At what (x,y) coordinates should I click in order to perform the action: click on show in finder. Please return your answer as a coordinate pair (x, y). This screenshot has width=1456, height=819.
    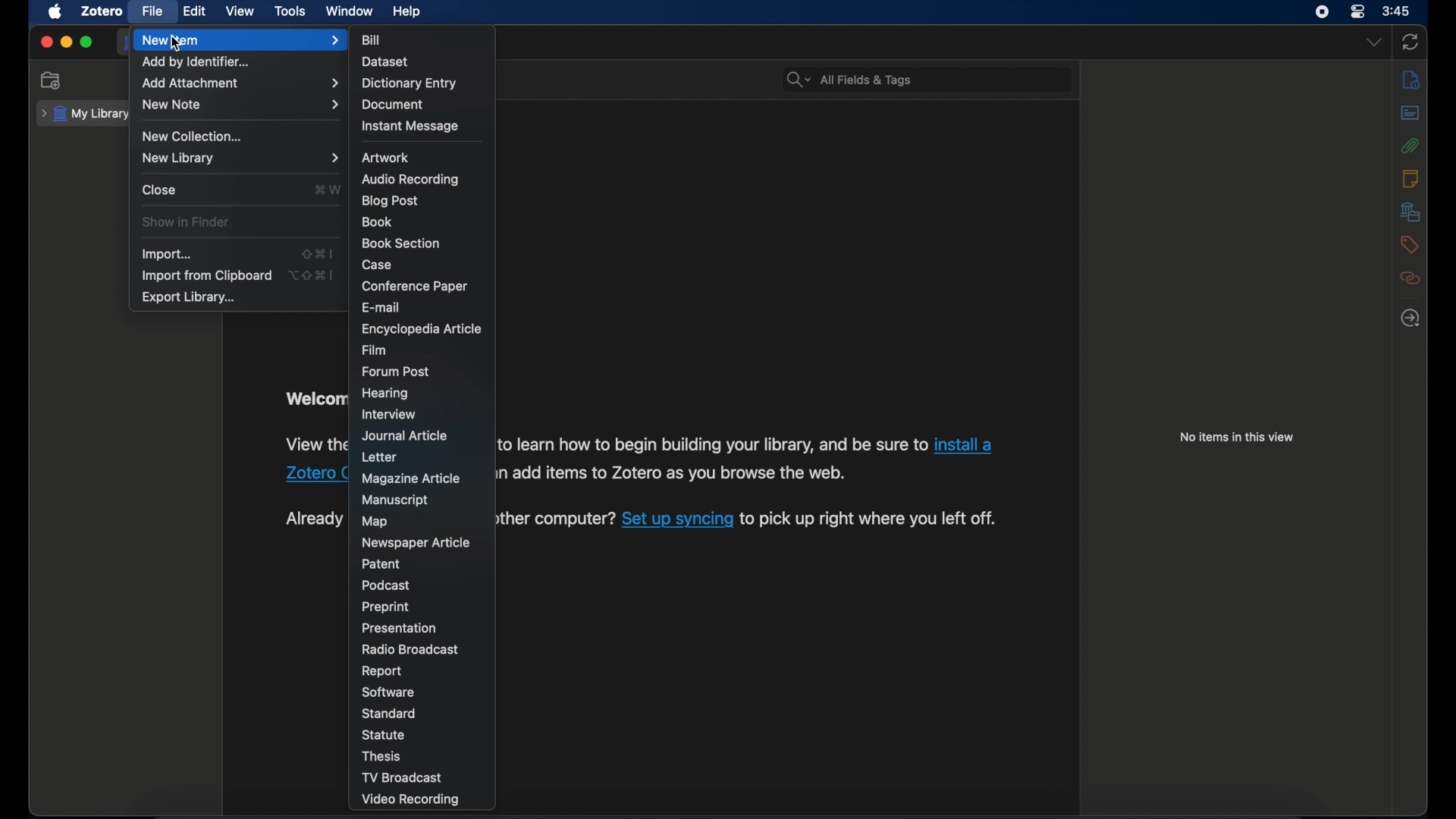
    Looking at the image, I should click on (185, 222).